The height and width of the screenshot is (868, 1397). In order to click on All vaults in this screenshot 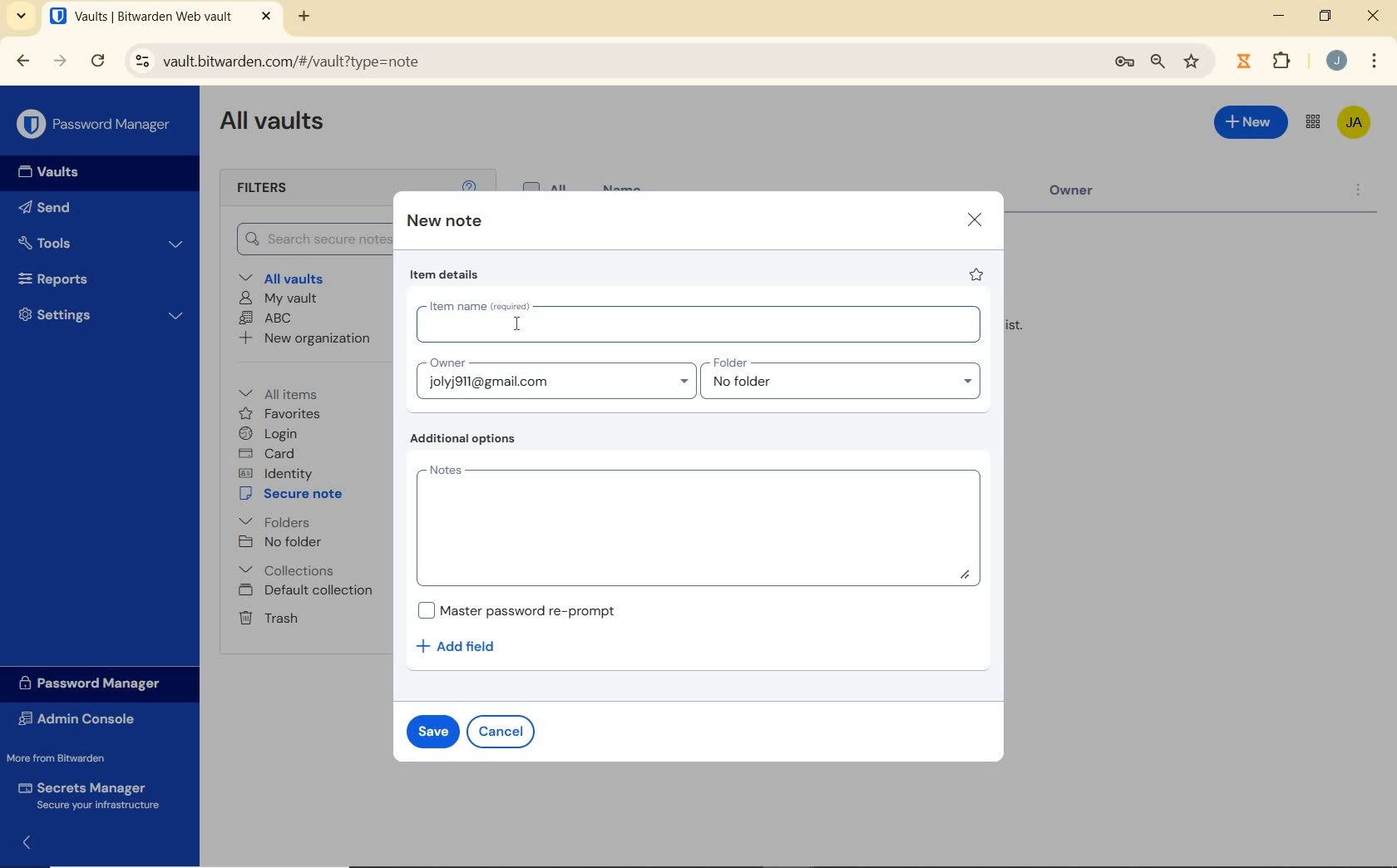, I will do `click(284, 277)`.